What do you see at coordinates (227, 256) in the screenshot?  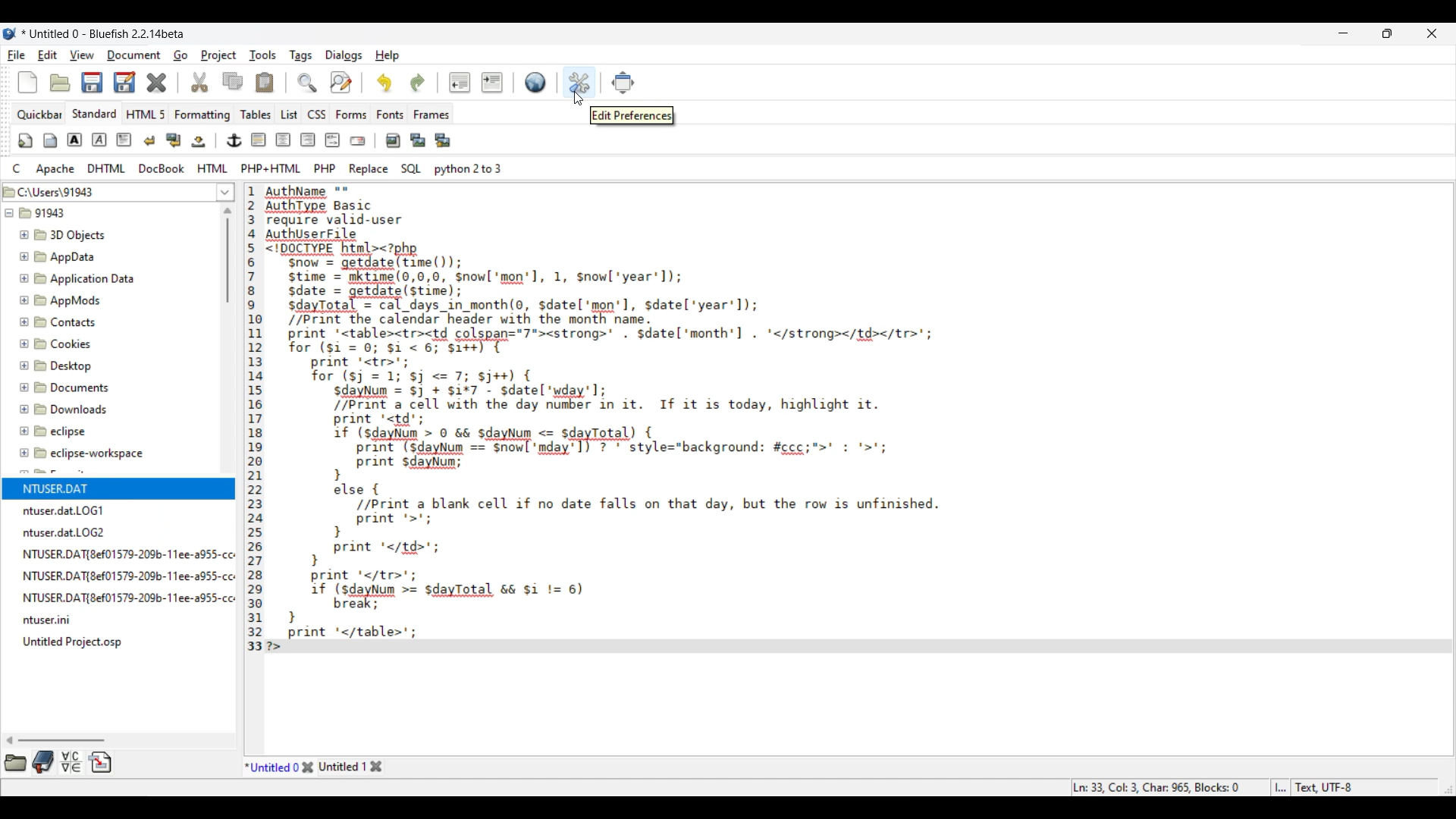 I see `Vertical slide bar` at bounding box center [227, 256].